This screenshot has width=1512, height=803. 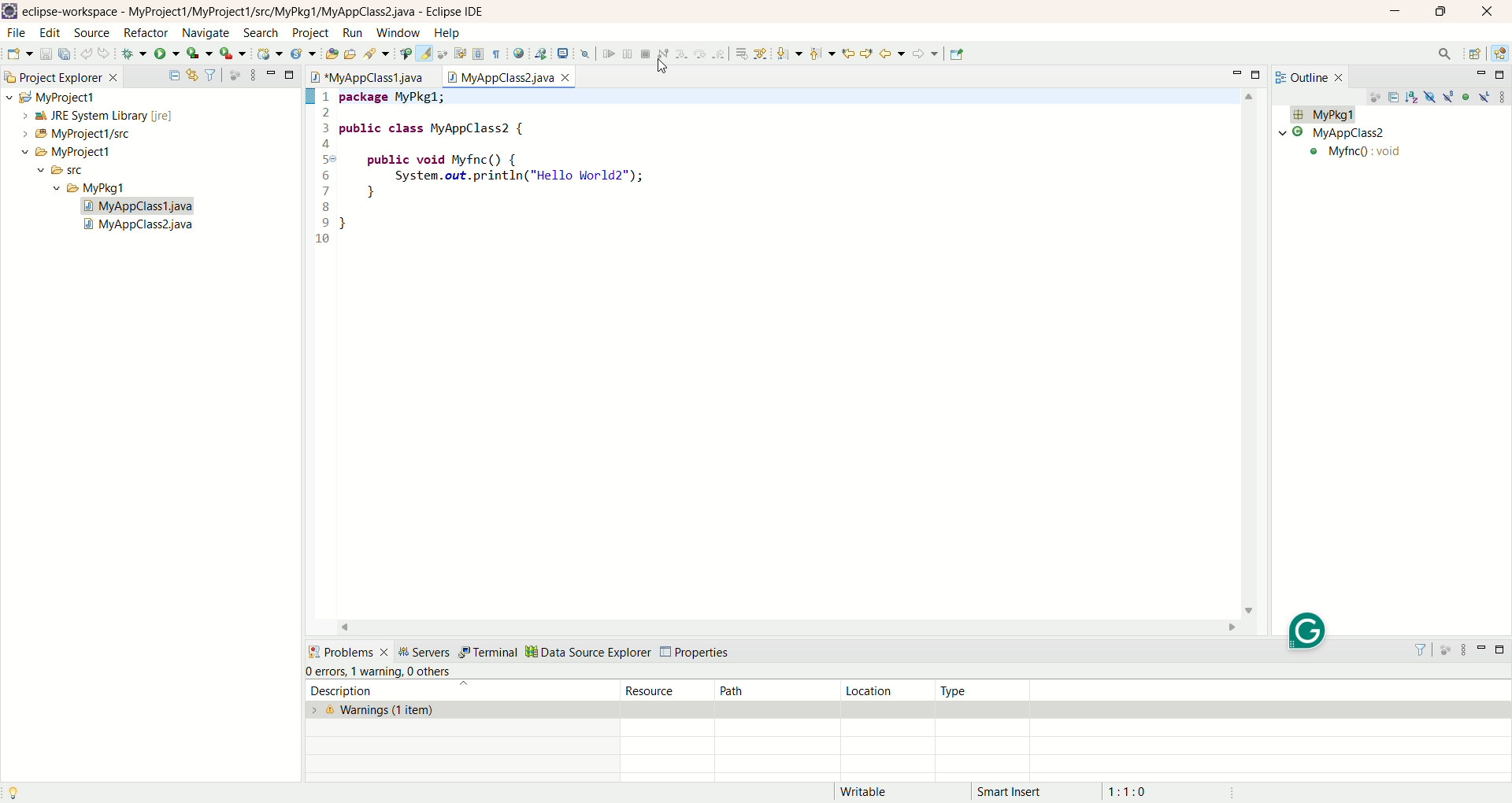 I want to click on 8: 2: 135, so click(x=1152, y=790).